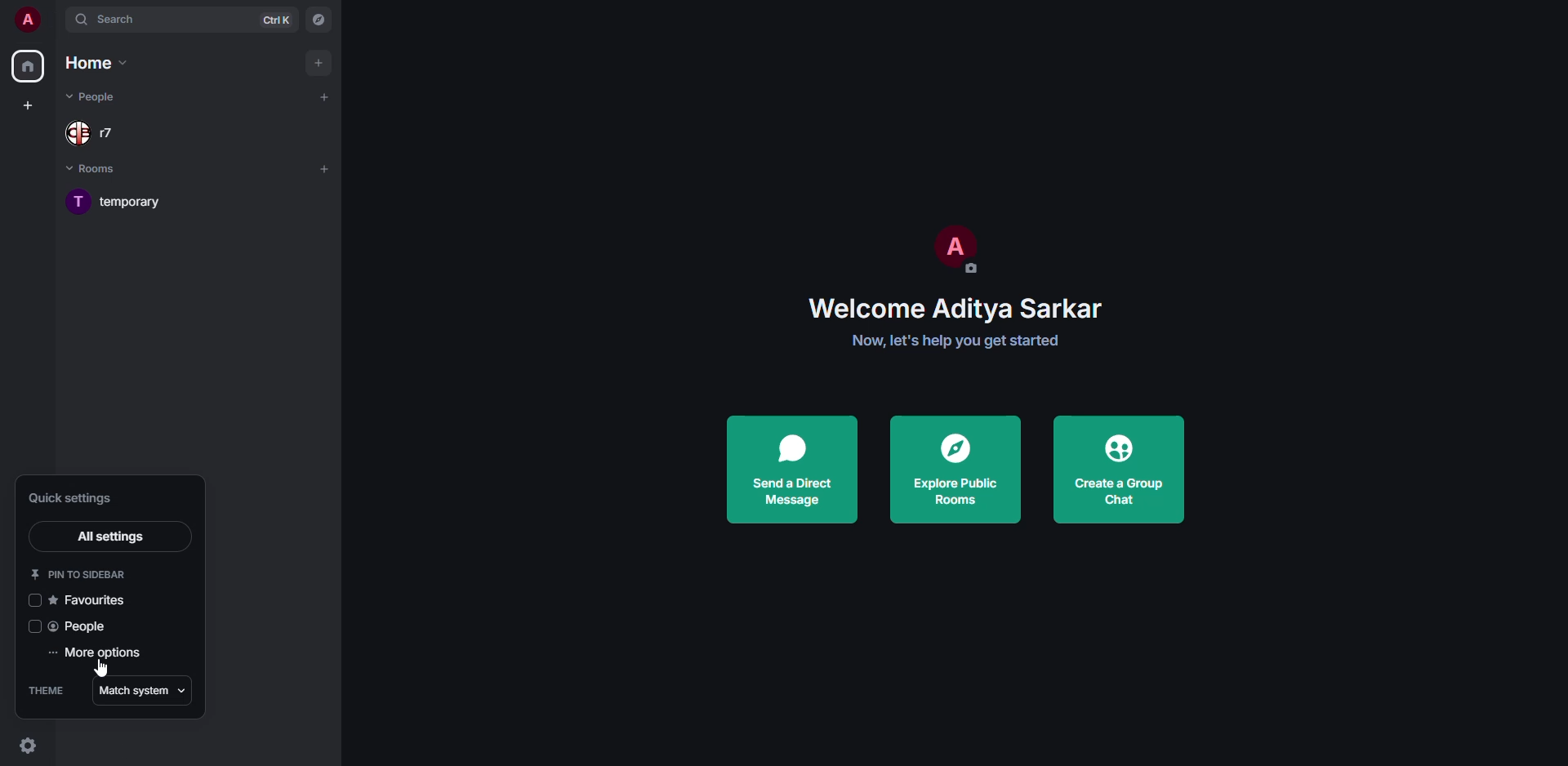 The width and height of the screenshot is (1568, 766). What do you see at coordinates (137, 690) in the screenshot?
I see `match system` at bounding box center [137, 690].